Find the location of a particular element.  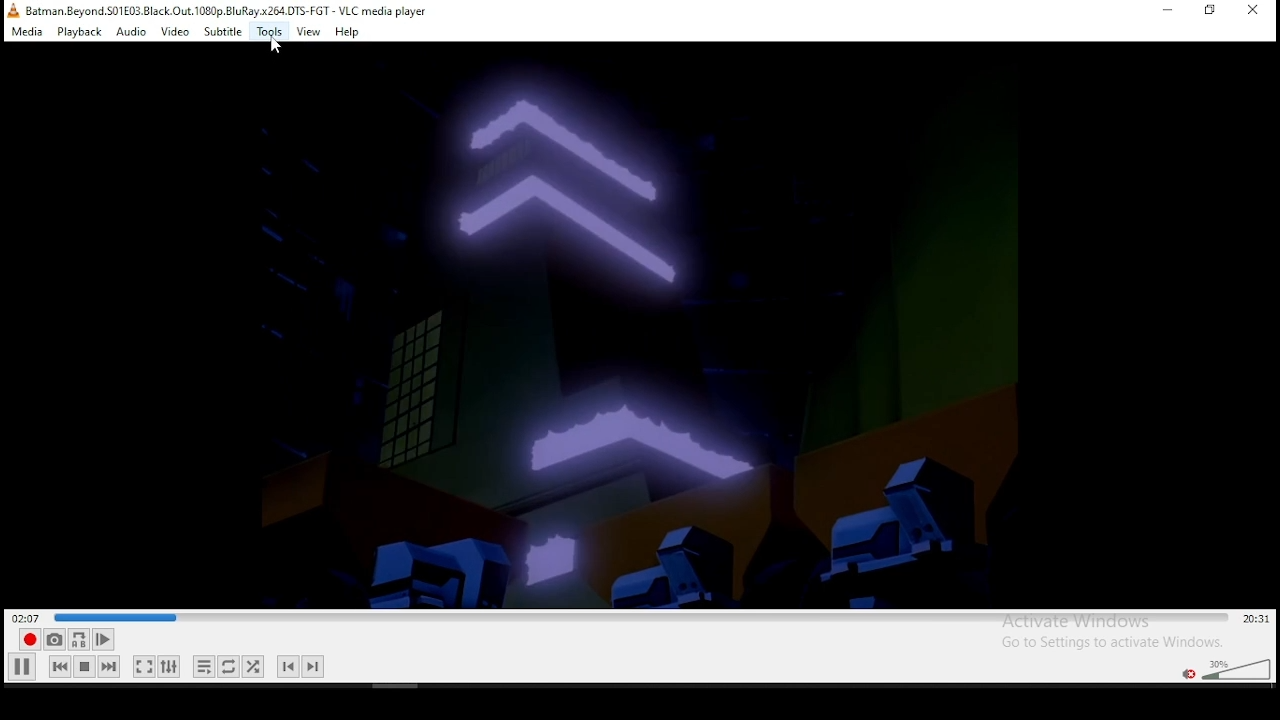

toggle video in fullscreen is located at coordinates (143, 666).